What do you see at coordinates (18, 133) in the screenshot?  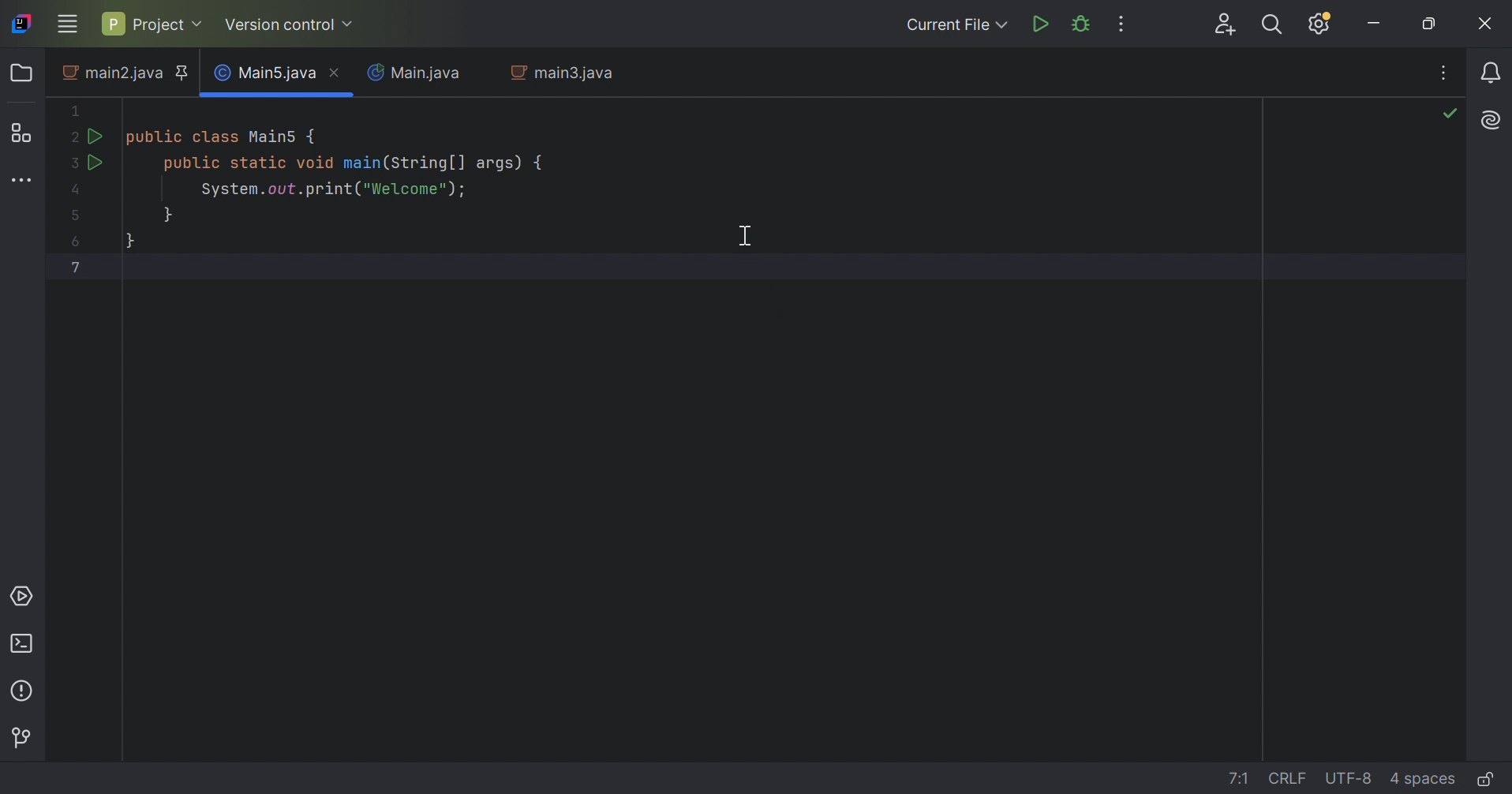 I see `Structure` at bounding box center [18, 133].